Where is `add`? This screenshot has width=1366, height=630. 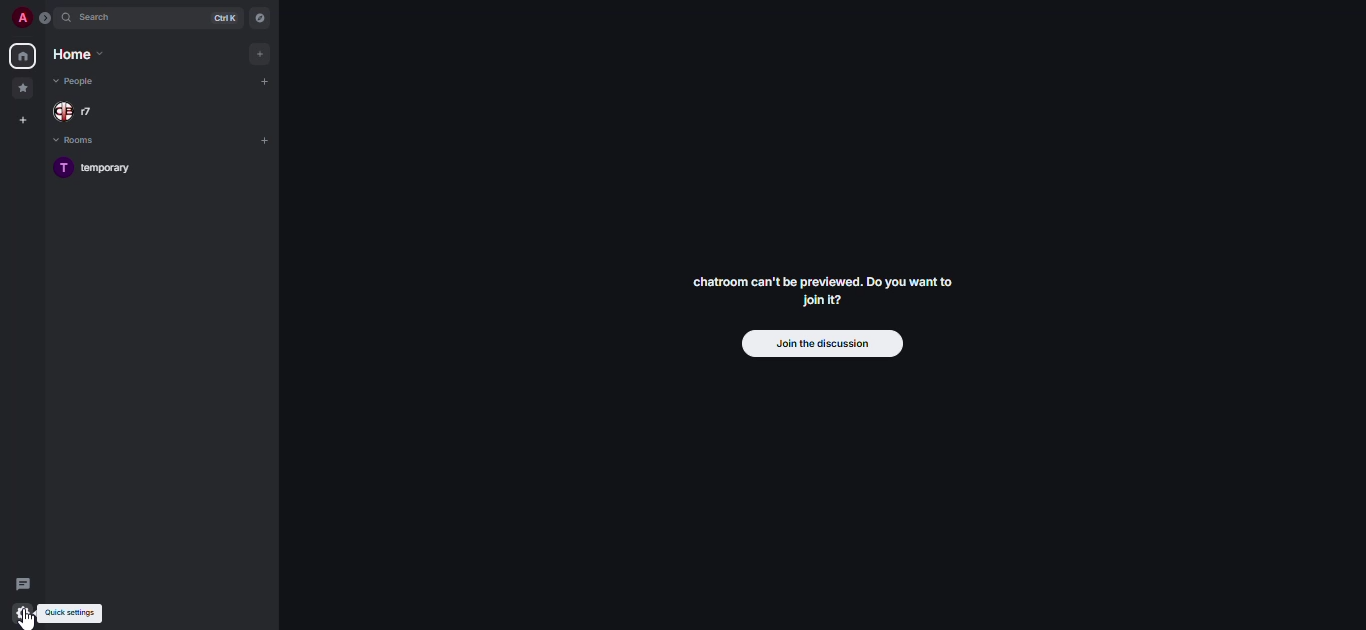 add is located at coordinates (265, 82).